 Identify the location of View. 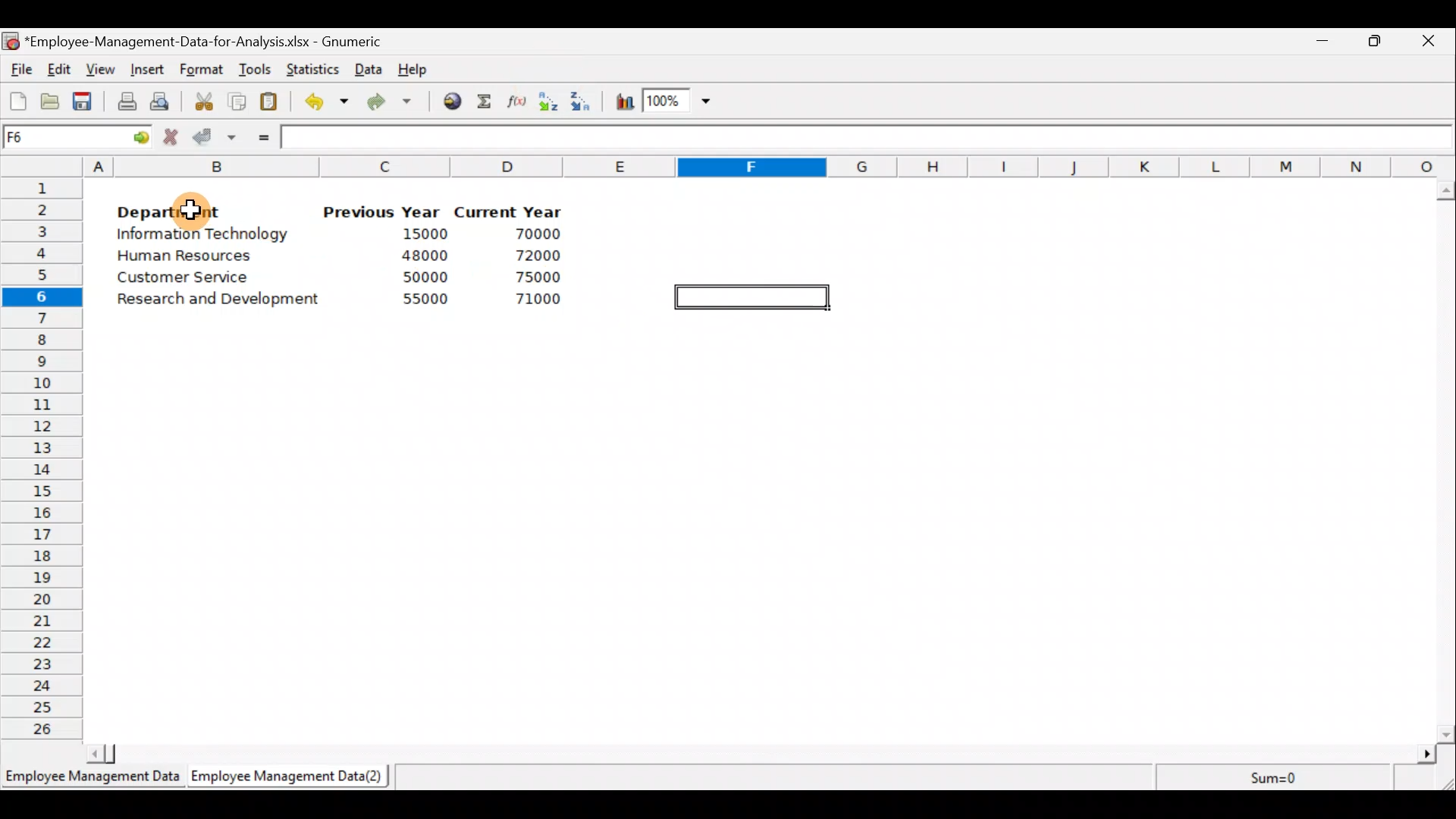
(99, 70).